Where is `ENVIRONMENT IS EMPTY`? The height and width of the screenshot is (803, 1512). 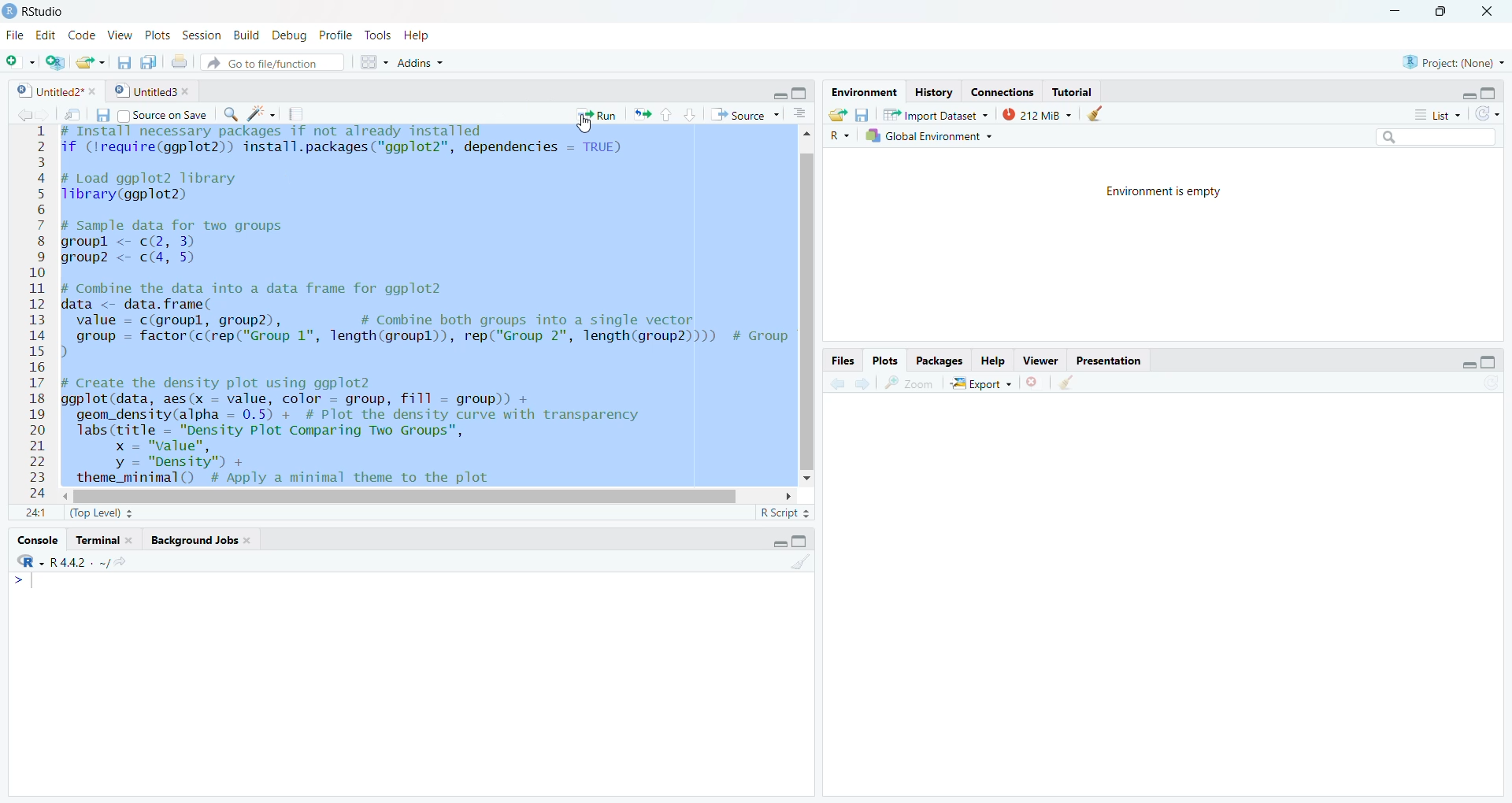 ENVIRONMENT IS EMPTY is located at coordinates (1188, 198).